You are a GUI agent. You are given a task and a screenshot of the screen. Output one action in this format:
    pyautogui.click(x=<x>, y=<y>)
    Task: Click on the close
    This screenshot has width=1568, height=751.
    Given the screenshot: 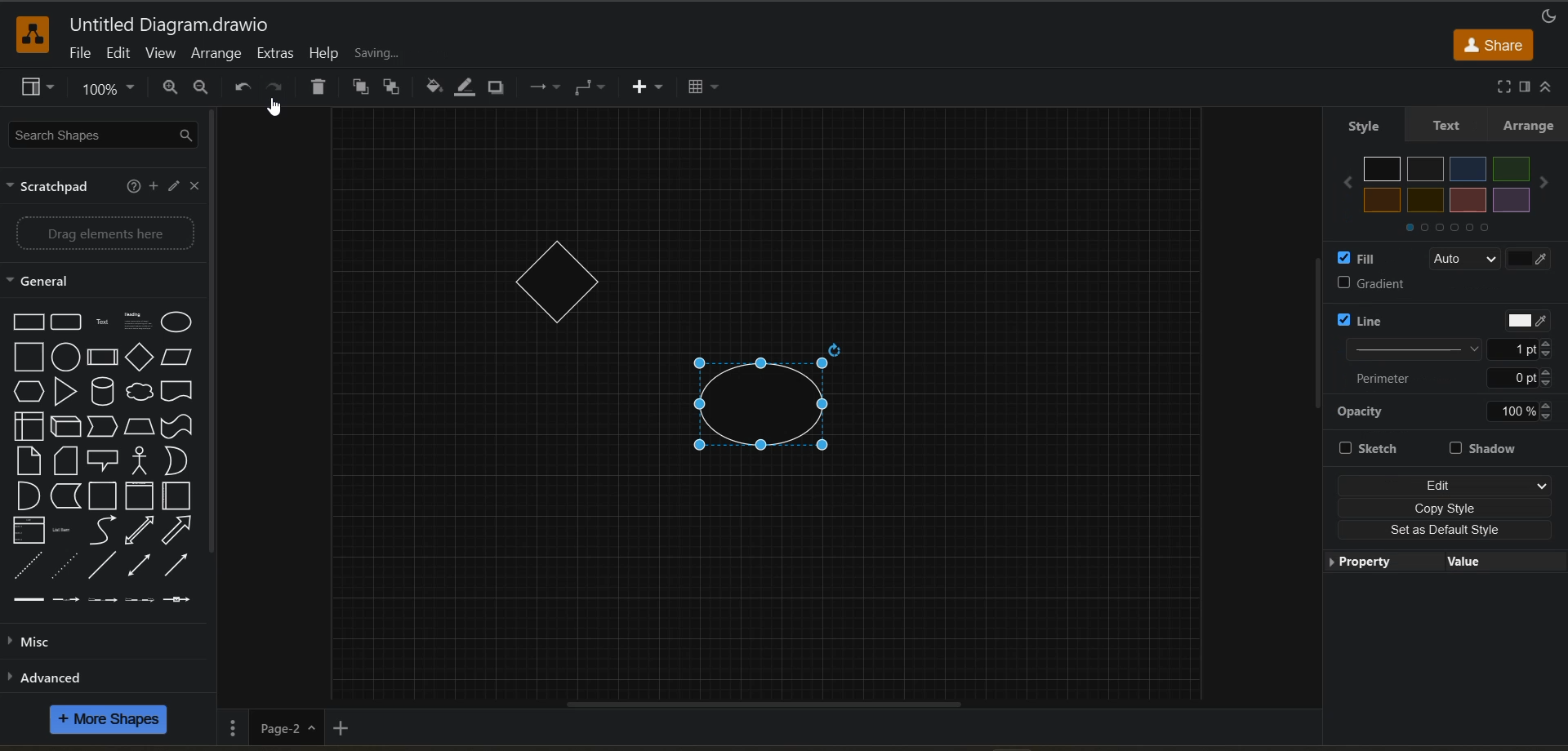 What is the action you would take?
    pyautogui.click(x=194, y=186)
    